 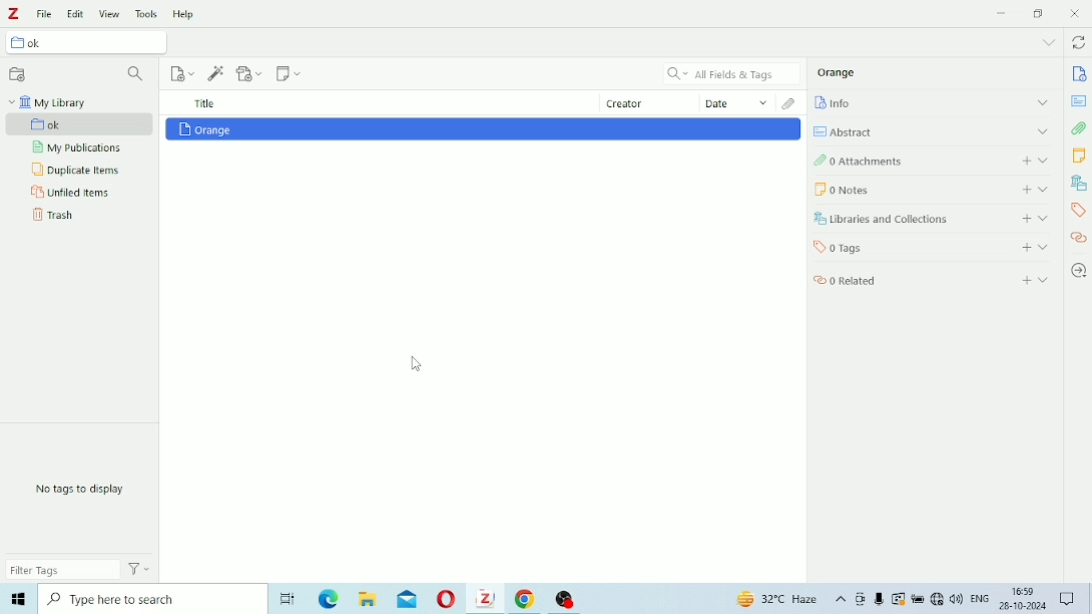 I want to click on Tags, so click(x=1079, y=211).